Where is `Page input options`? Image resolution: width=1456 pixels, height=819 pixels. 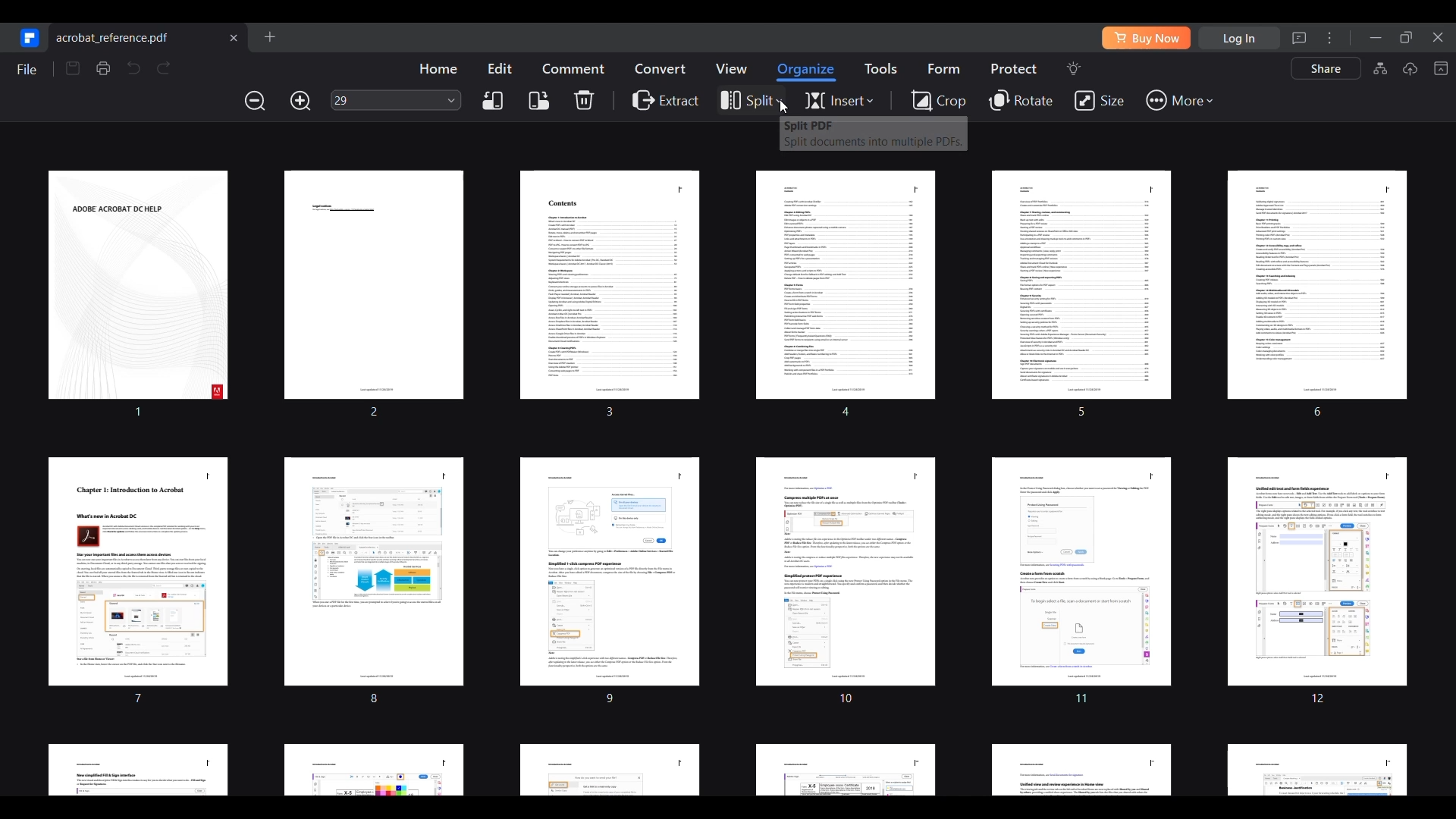
Page input options is located at coordinates (452, 99).